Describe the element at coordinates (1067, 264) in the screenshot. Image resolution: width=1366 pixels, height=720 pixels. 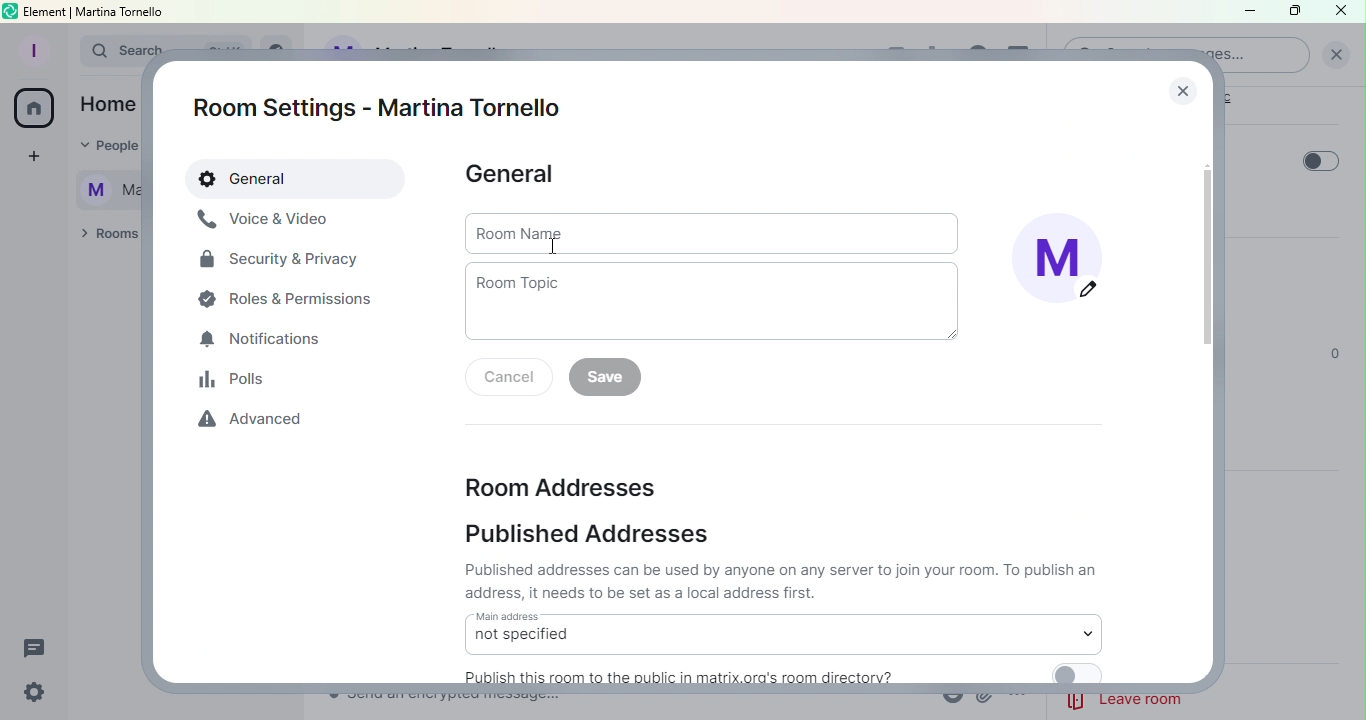
I see `Display image` at that location.